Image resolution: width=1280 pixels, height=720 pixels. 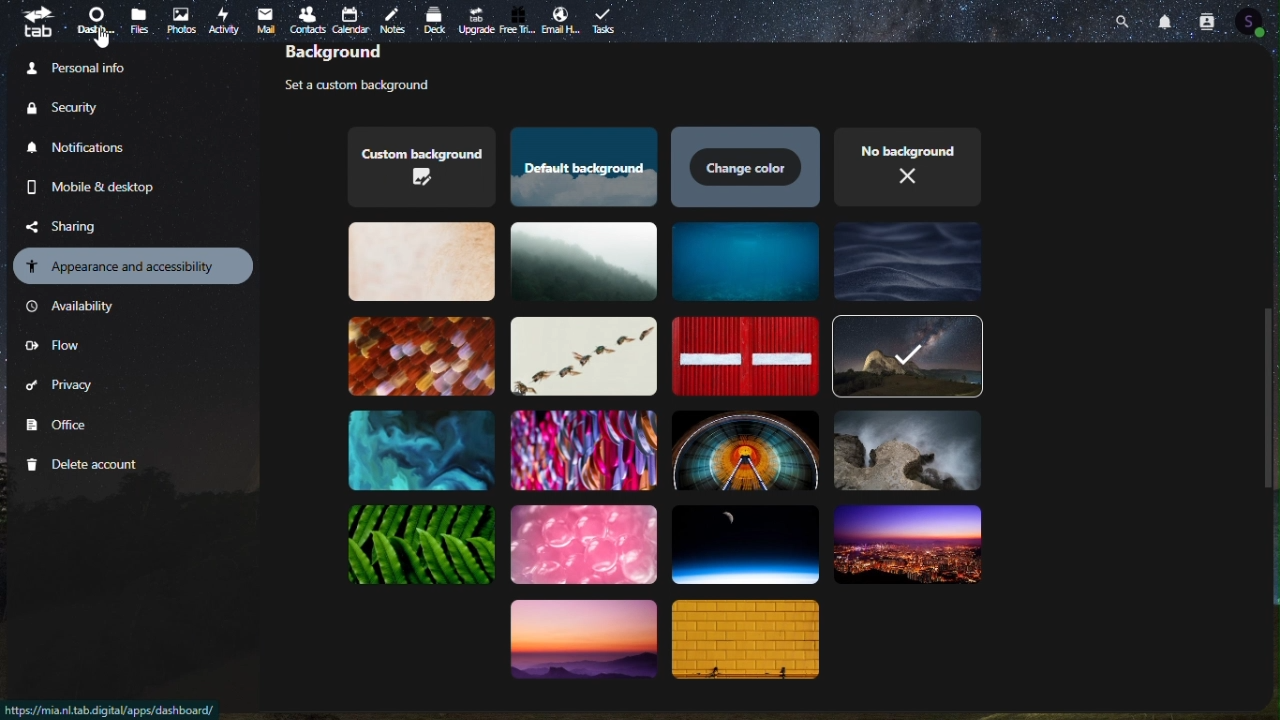 What do you see at coordinates (1206, 20) in the screenshot?
I see `Contacts` at bounding box center [1206, 20].